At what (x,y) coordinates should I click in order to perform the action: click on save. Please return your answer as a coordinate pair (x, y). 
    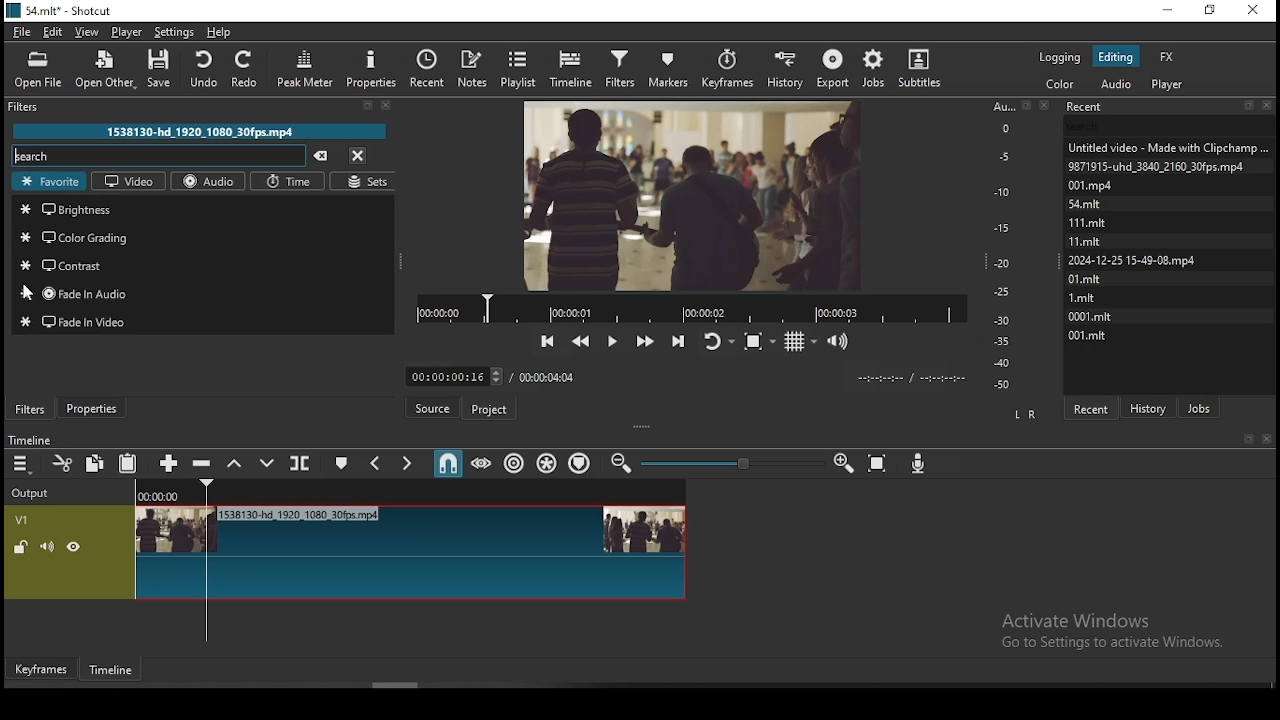
    Looking at the image, I should click on (165, 72).